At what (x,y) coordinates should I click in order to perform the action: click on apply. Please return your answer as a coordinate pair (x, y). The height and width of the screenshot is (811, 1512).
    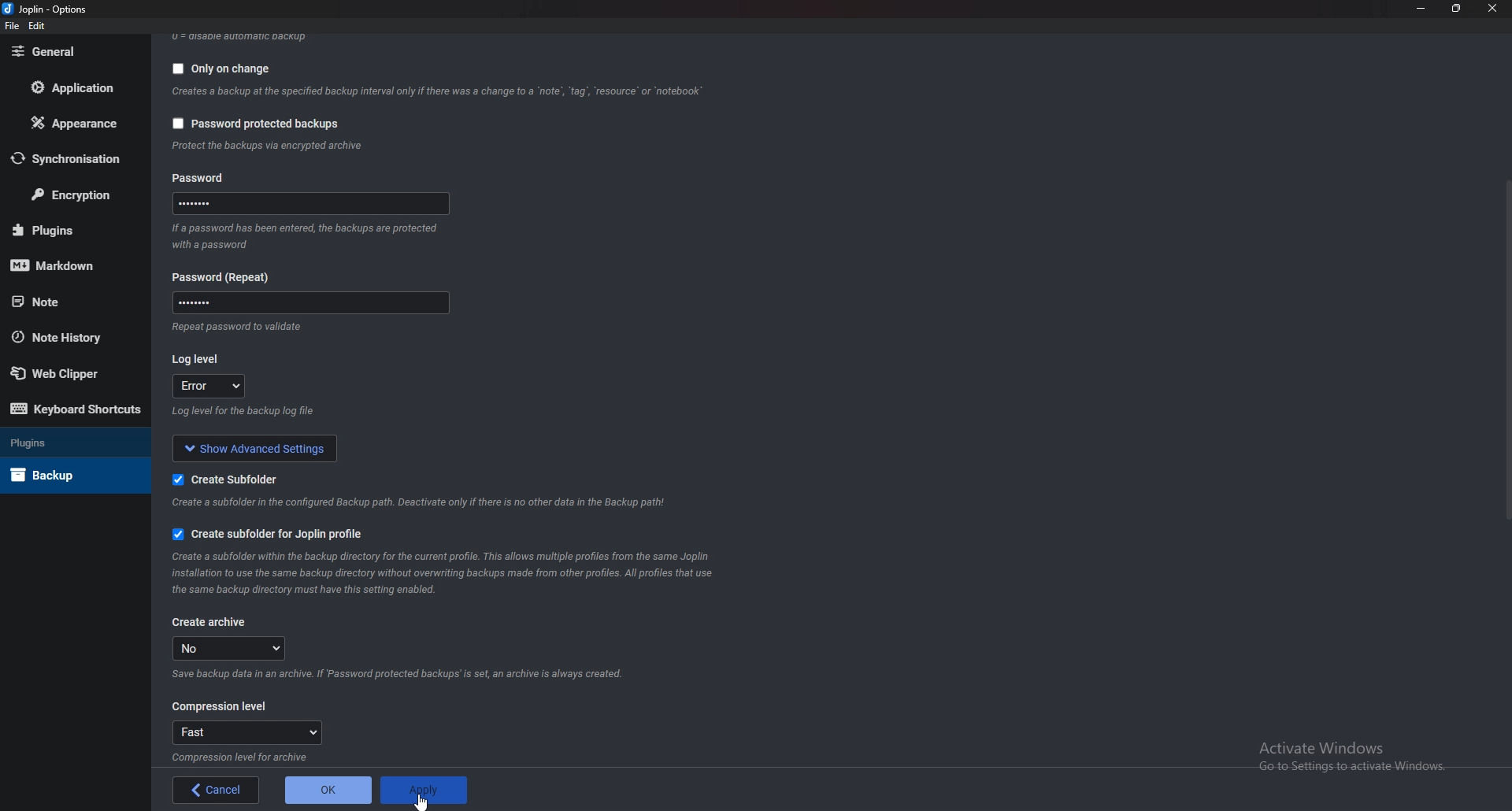
    Looking at the image, I should click on (424, 791).